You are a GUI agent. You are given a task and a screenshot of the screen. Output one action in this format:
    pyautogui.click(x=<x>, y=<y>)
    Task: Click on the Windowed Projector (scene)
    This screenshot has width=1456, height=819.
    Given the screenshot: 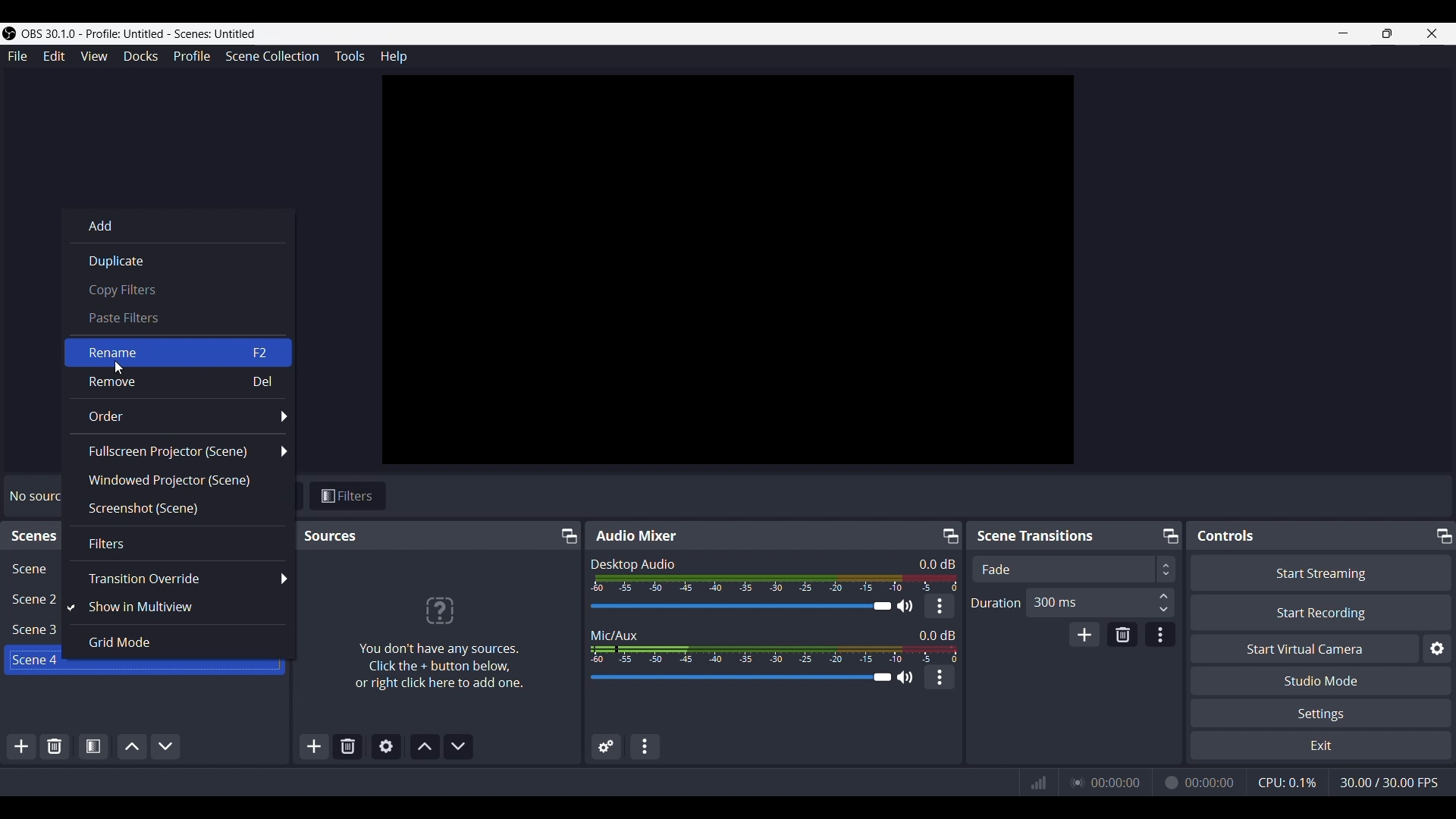 What is the action you would take?
    pyautogui.click(x=174, y=479)
    